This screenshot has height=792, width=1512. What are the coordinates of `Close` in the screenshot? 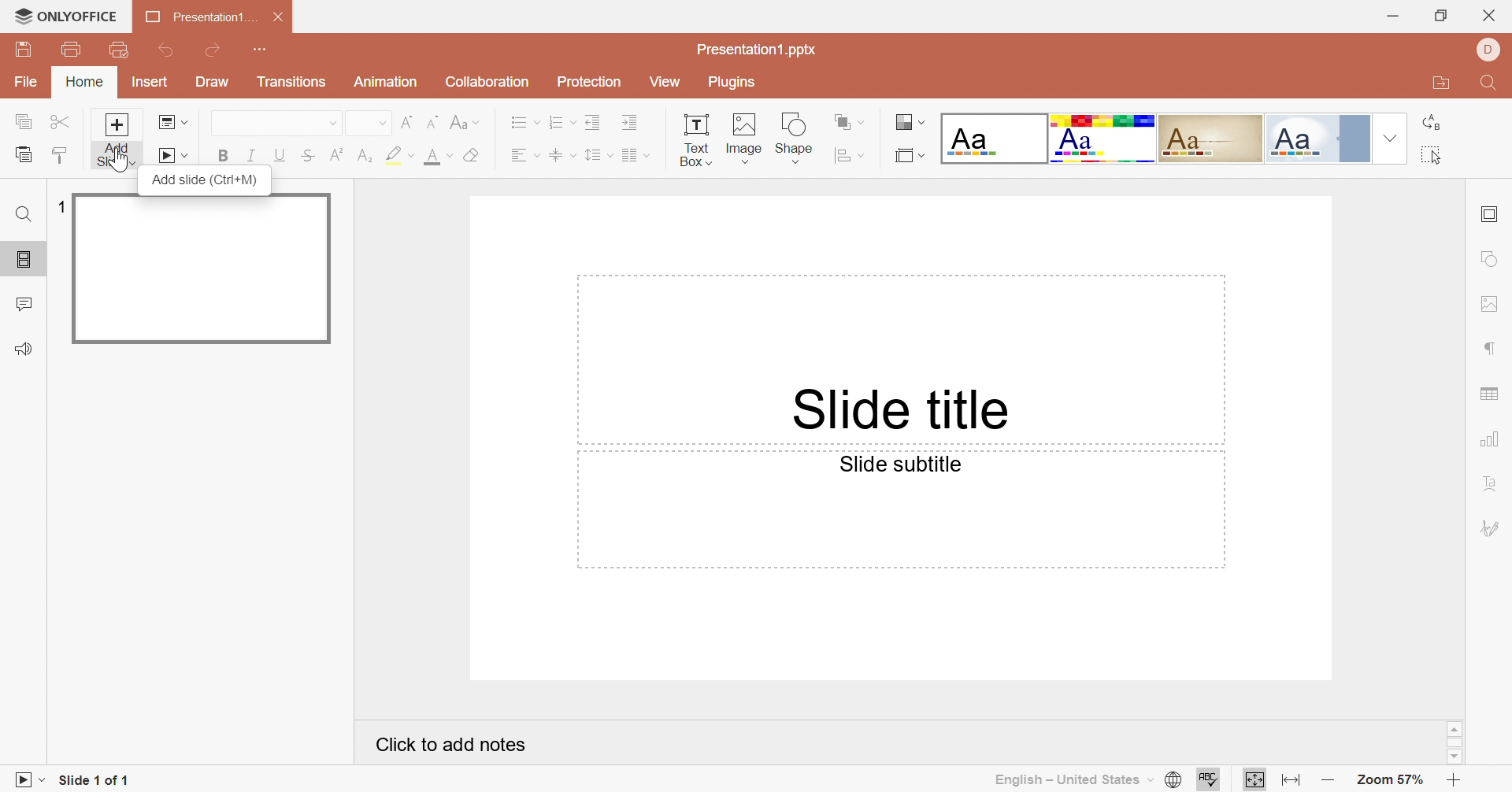 It's located at (280, 17).